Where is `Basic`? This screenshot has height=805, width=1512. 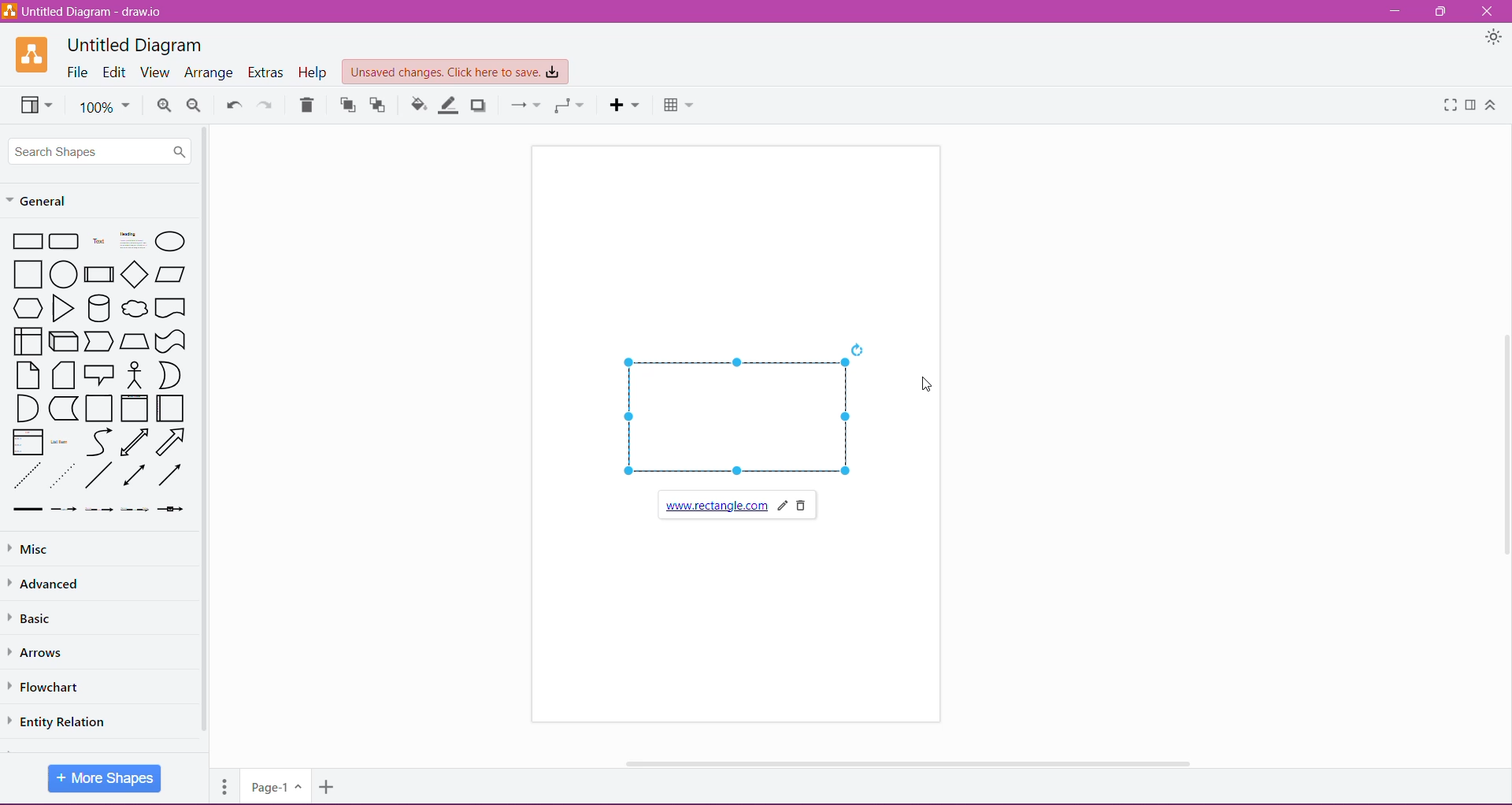
Basic is located at coordinates (34, 617).